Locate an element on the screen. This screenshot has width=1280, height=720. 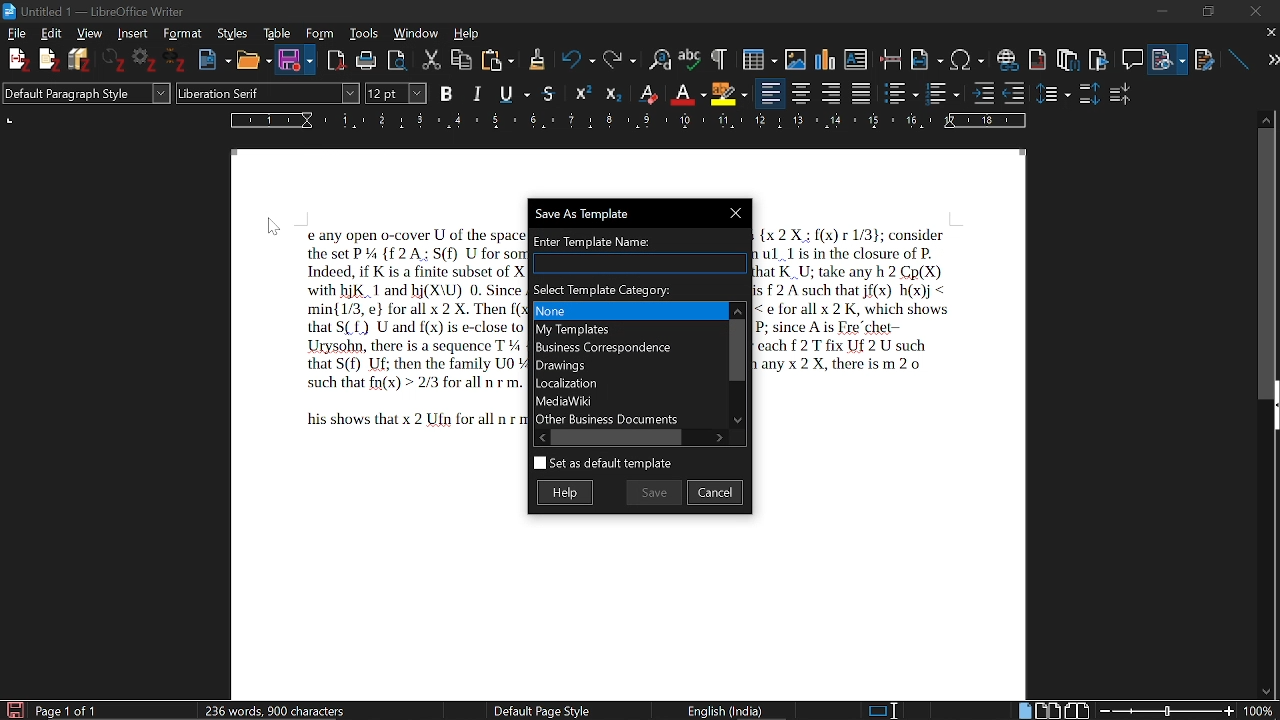
Redo is located at coordinates (617, 58).